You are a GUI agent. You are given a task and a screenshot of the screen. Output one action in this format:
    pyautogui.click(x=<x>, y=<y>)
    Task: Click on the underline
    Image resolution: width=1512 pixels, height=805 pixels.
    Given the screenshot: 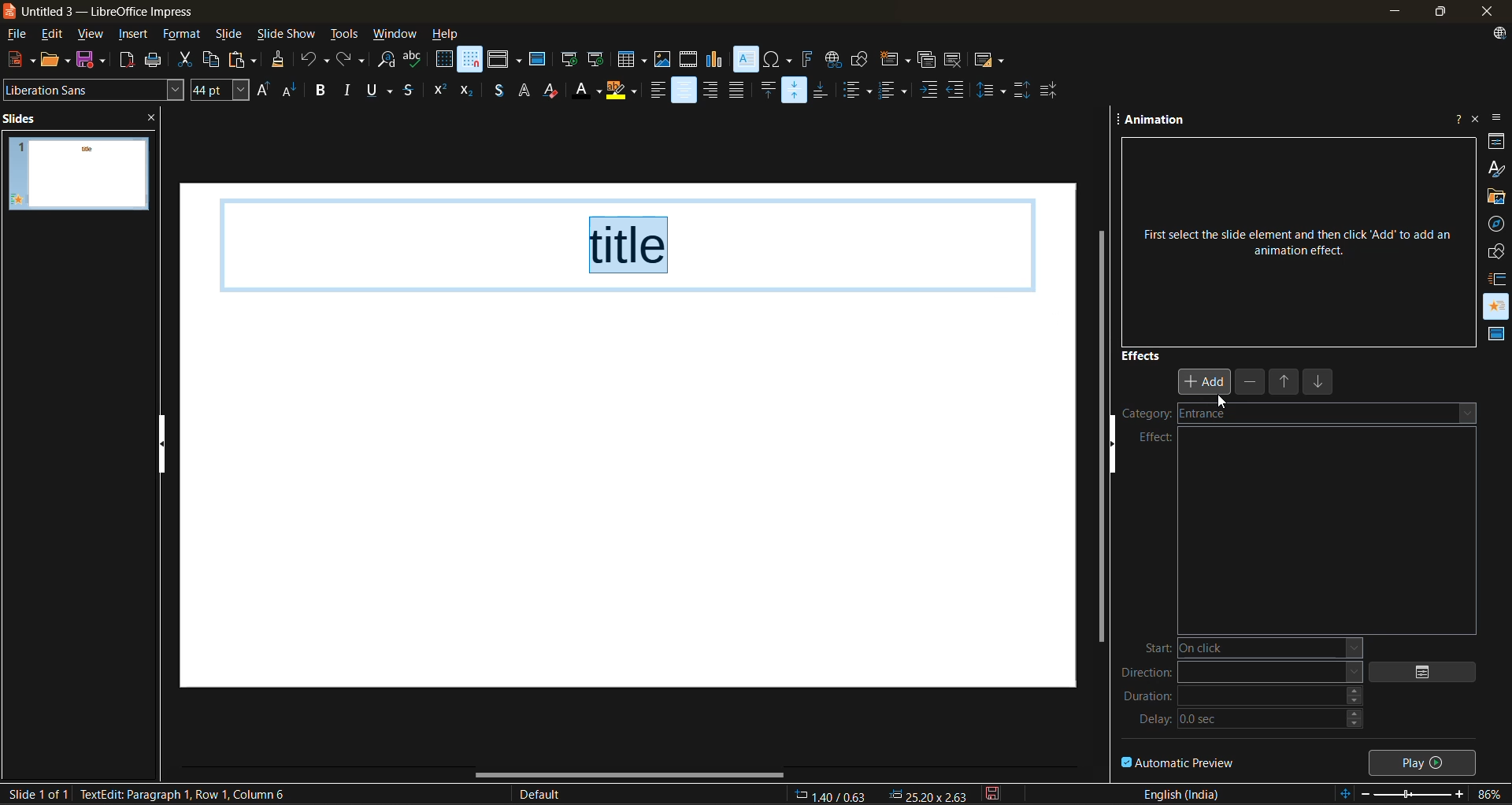 What is the action you would take?
    pyautogui.click(x=383, y=91)
    